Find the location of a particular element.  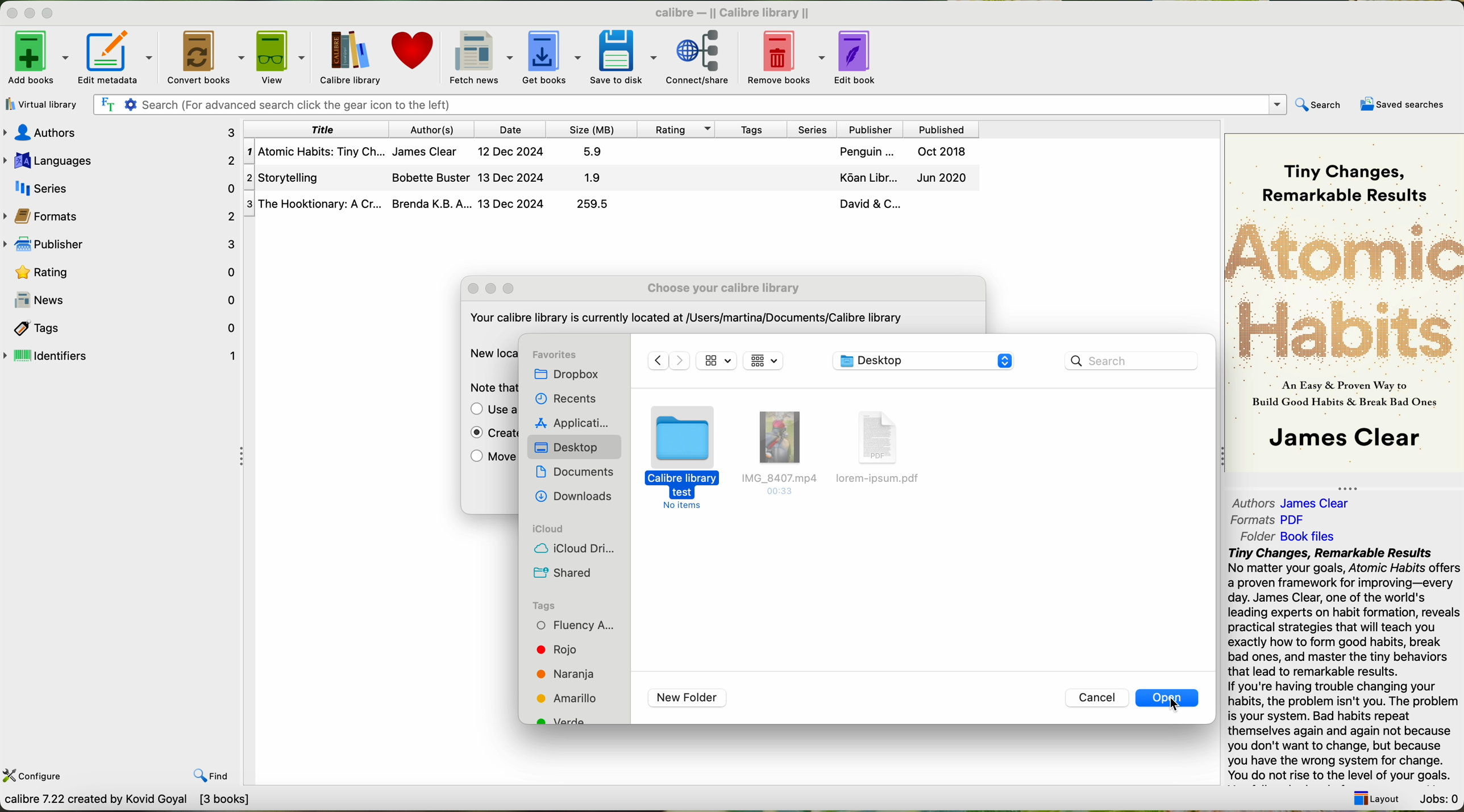

search bar is located at coordinates (1130, 360).